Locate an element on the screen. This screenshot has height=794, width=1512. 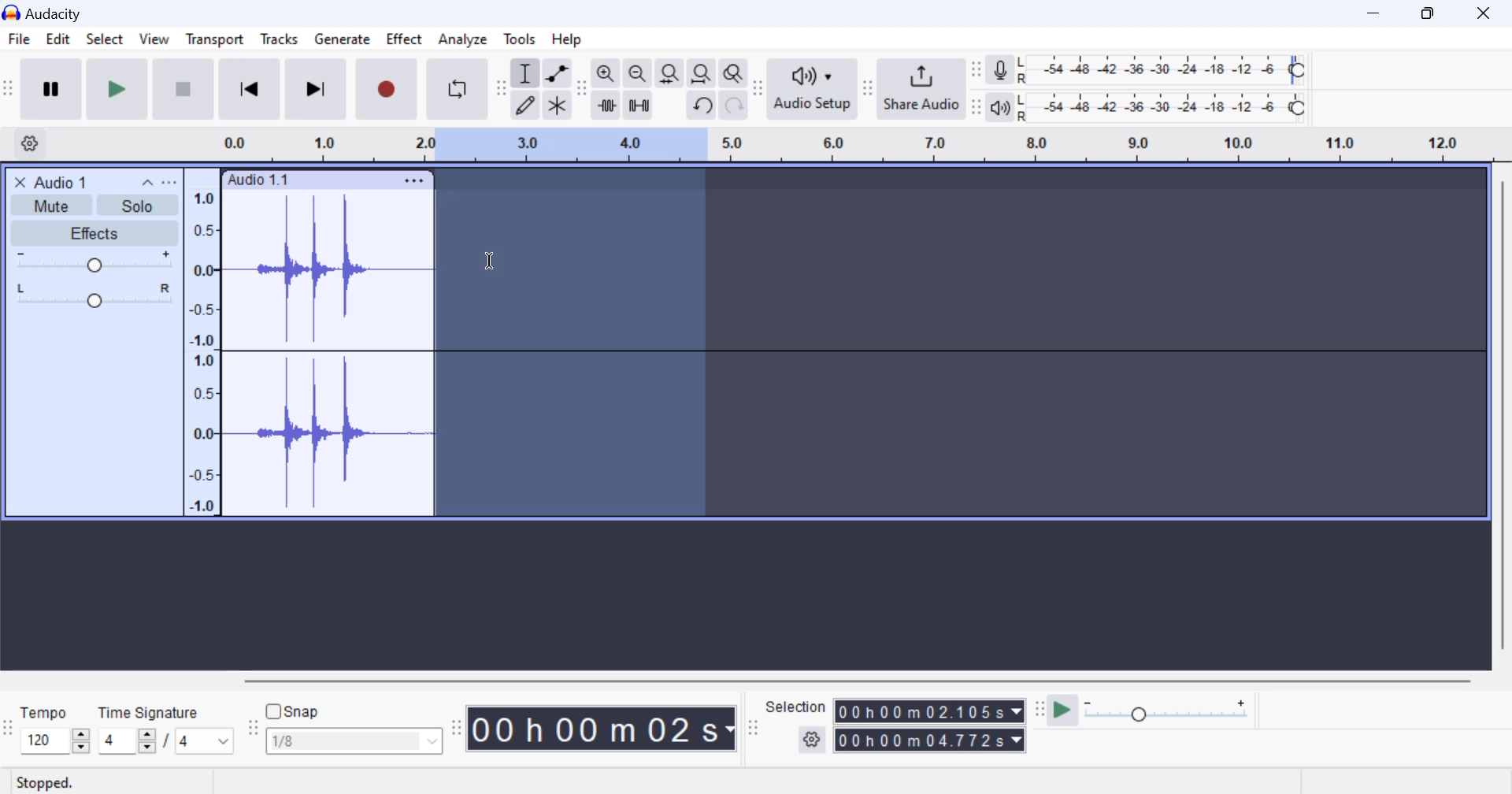
Mute is located at coordinates (54, 204).